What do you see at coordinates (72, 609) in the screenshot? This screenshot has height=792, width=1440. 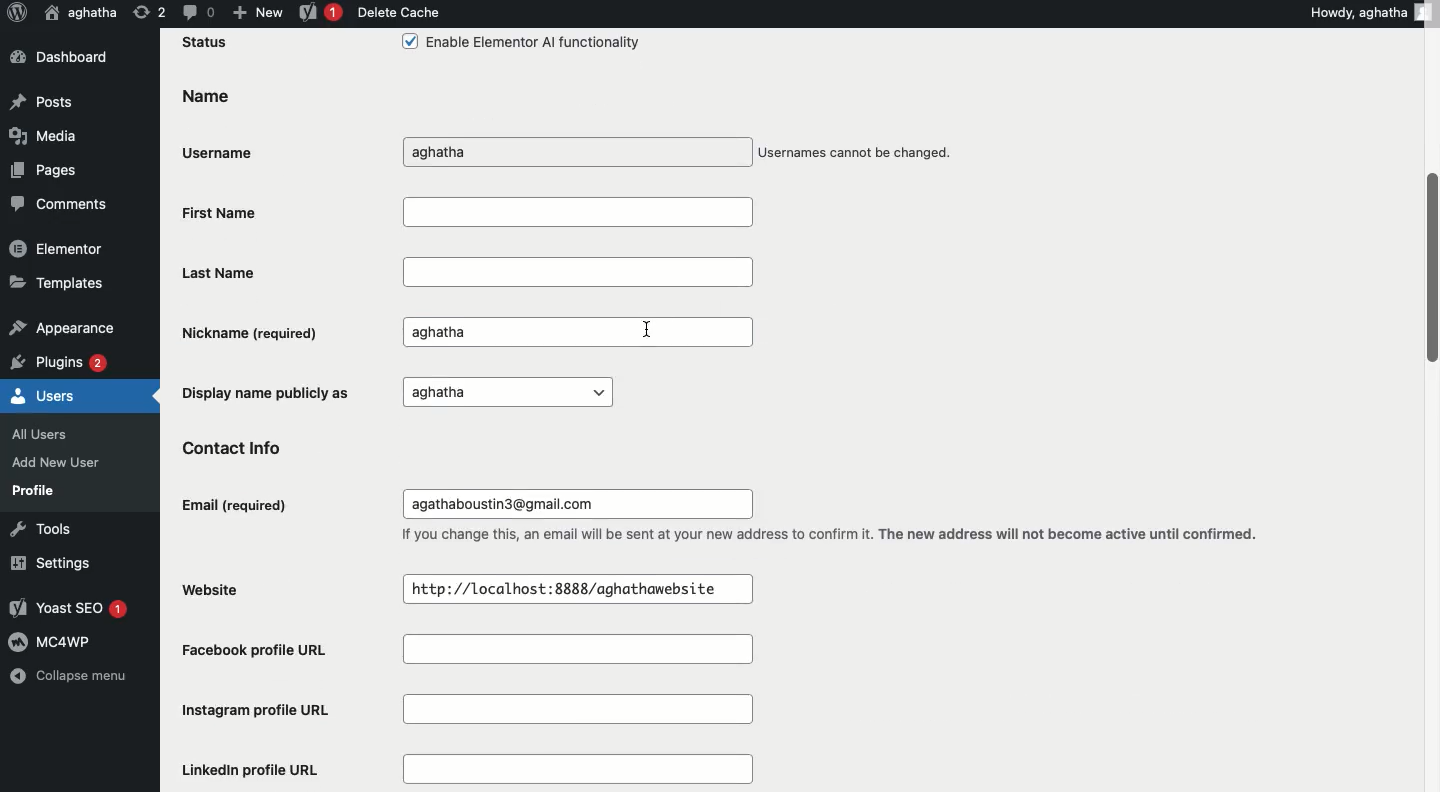 I see `Yoast SEO 1` at bounding box center [72, 609].